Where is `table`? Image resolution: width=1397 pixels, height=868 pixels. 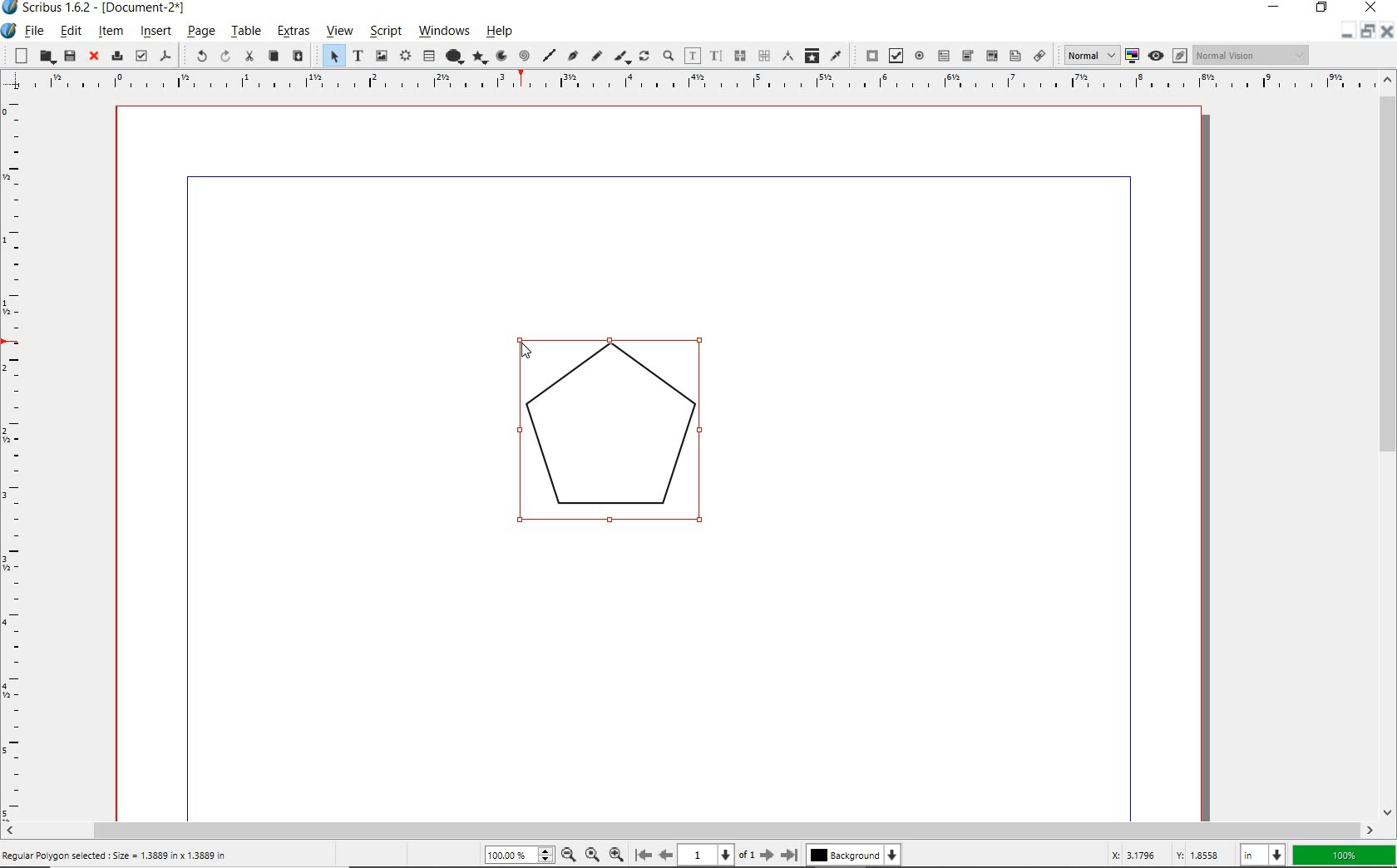 table is located at coordinates (245, 32).